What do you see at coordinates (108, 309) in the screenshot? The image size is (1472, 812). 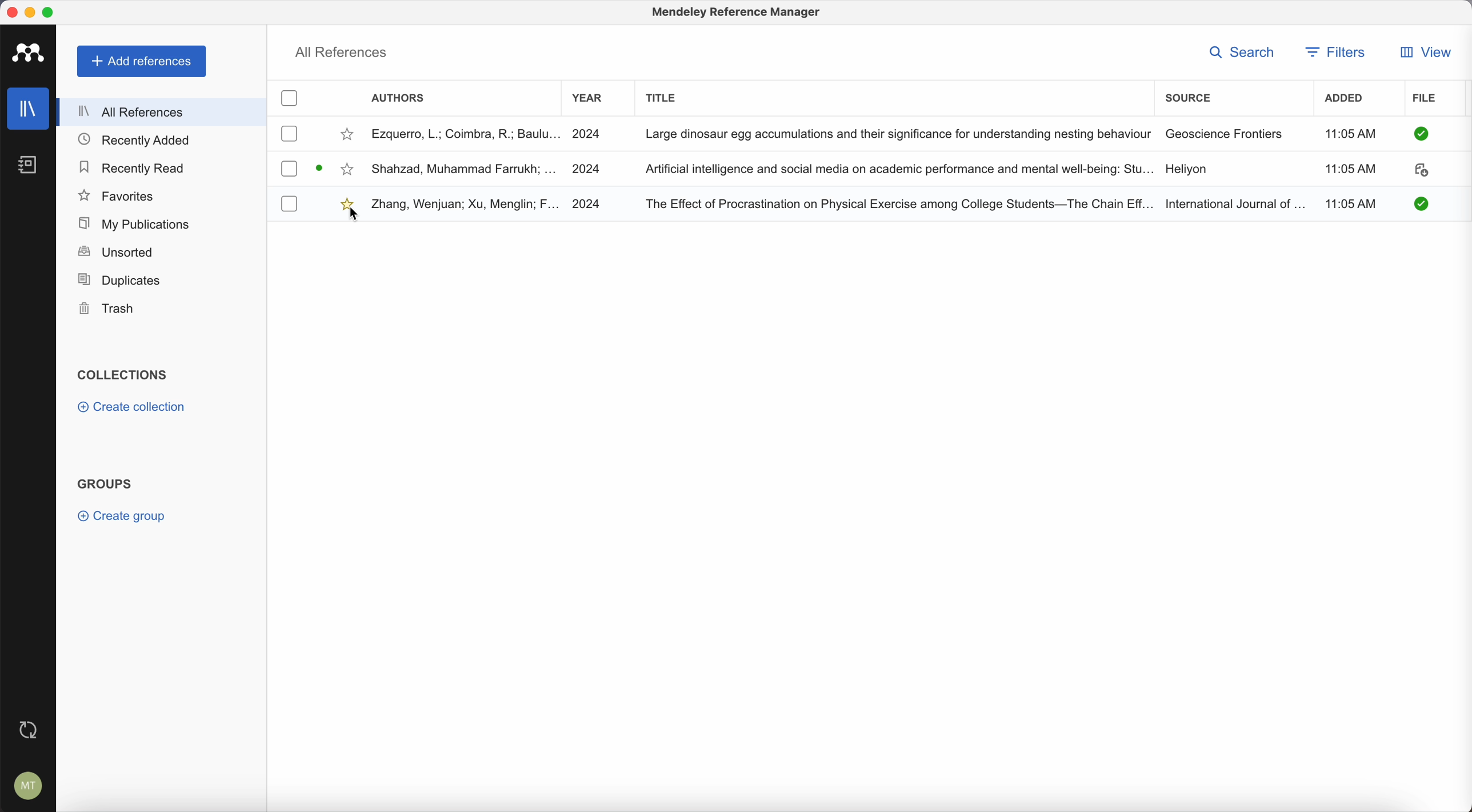 I see `trash` at bounding box center [108, 309].